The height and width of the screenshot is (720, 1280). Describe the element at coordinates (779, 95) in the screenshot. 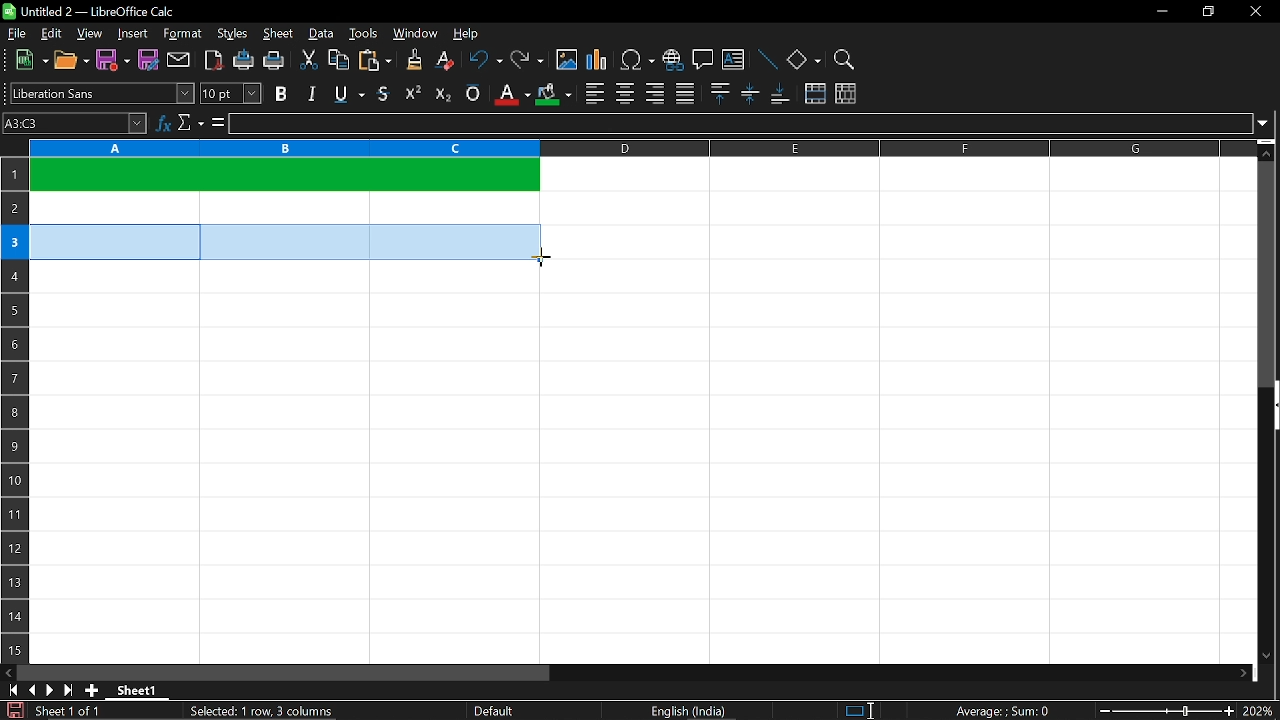

I see `align bottom` at that location.